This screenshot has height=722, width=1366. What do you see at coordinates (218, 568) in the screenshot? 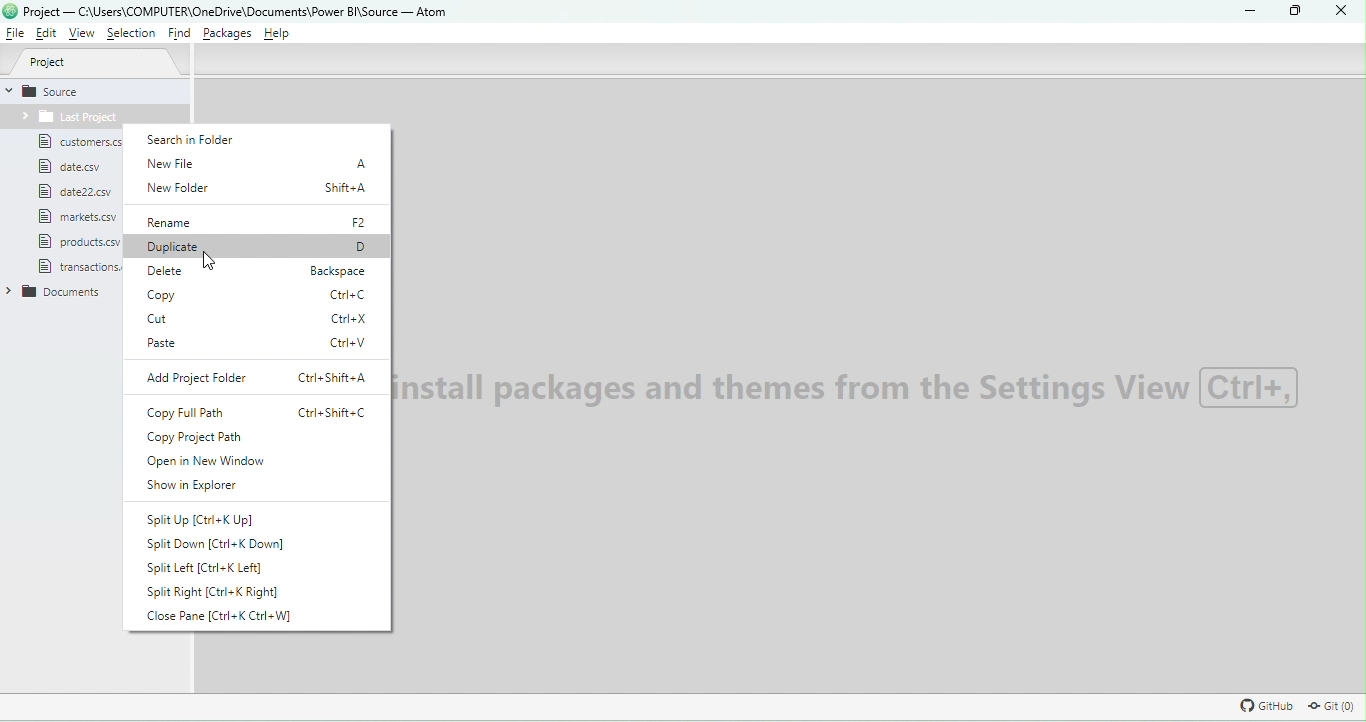
I see `Split left` at bounding box center [218, 568].